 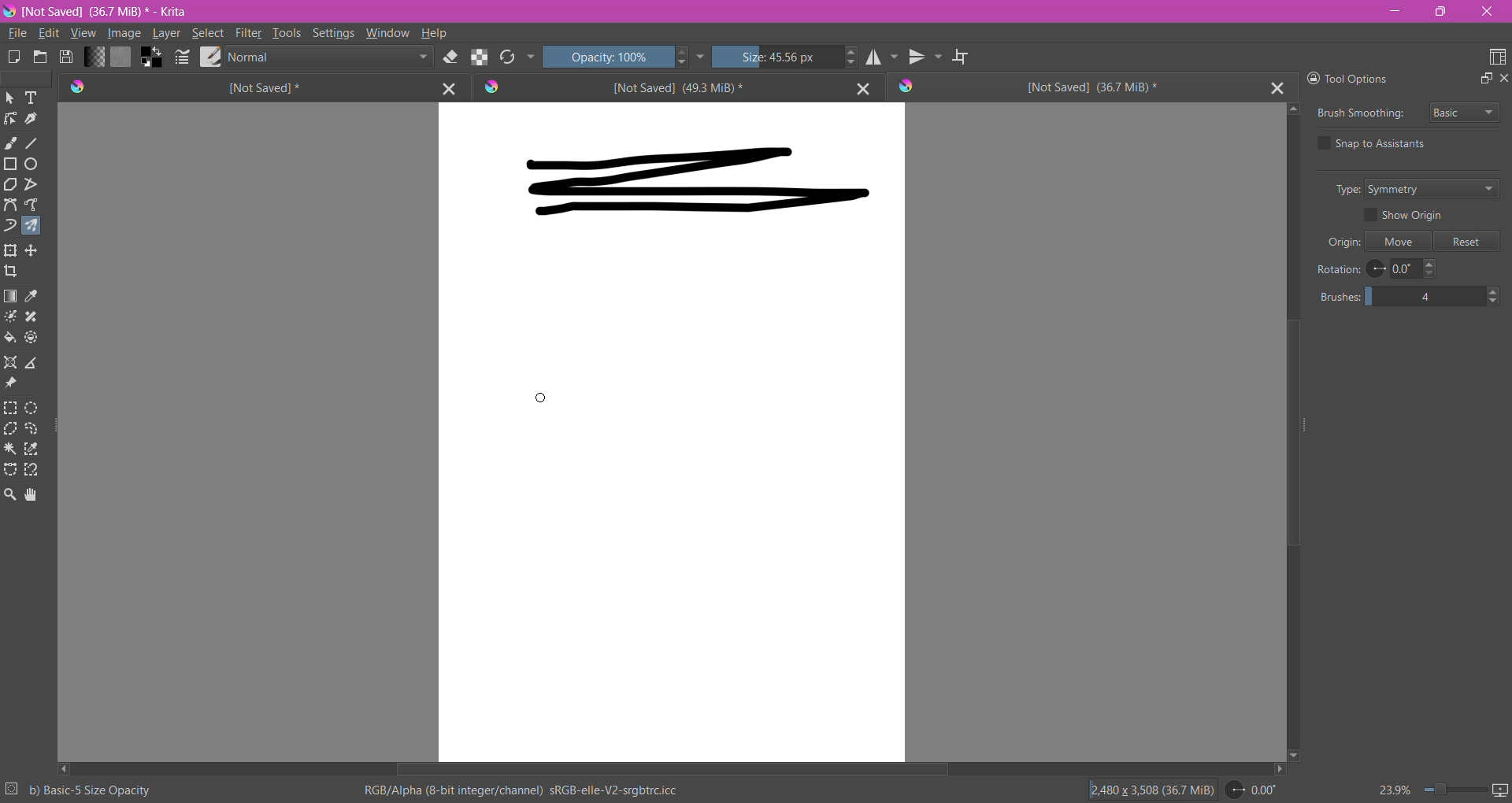 I want to click on Multi-brush Tool cursor, so click(x=540, y=398).